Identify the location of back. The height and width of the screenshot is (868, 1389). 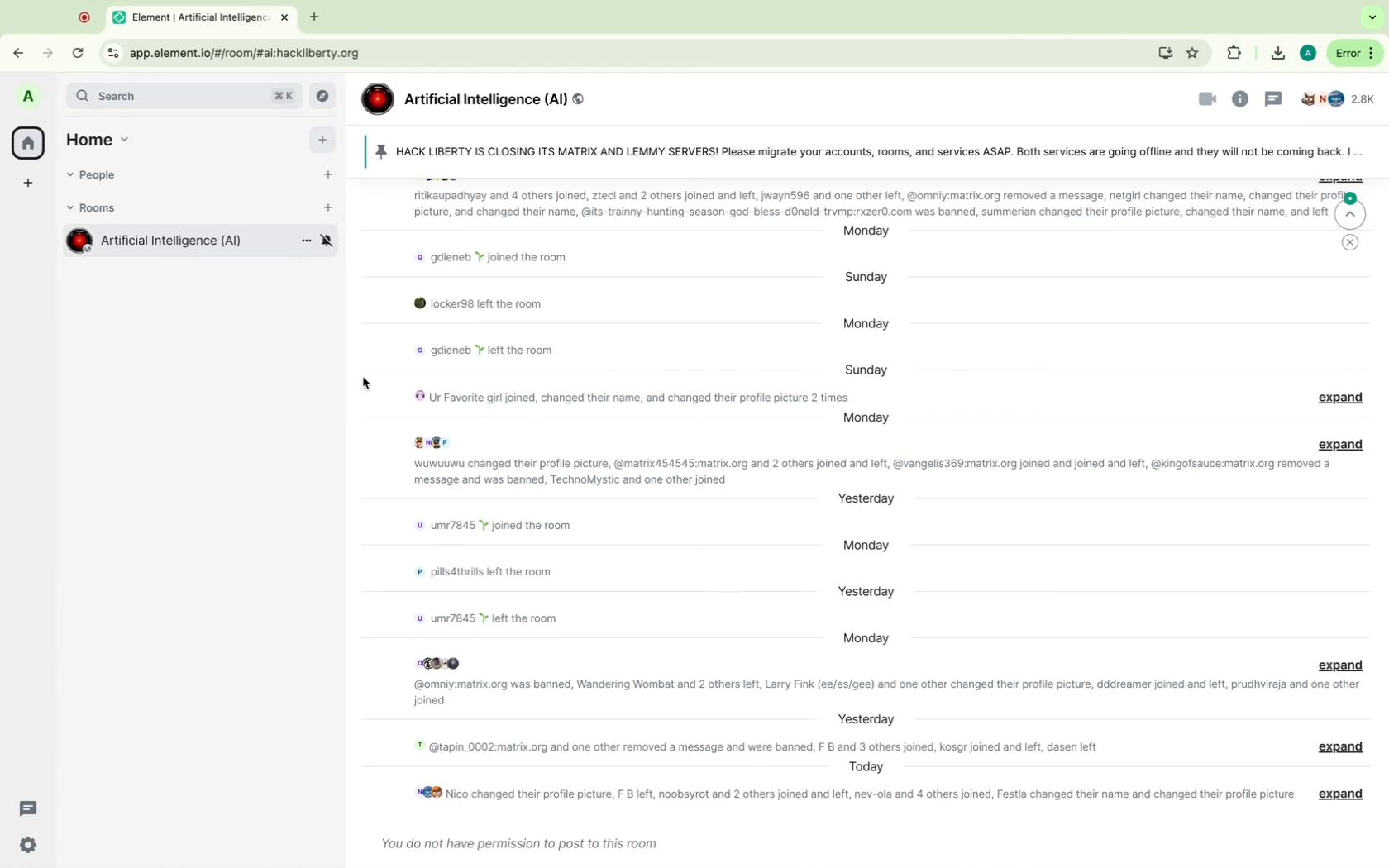
(17, 53).